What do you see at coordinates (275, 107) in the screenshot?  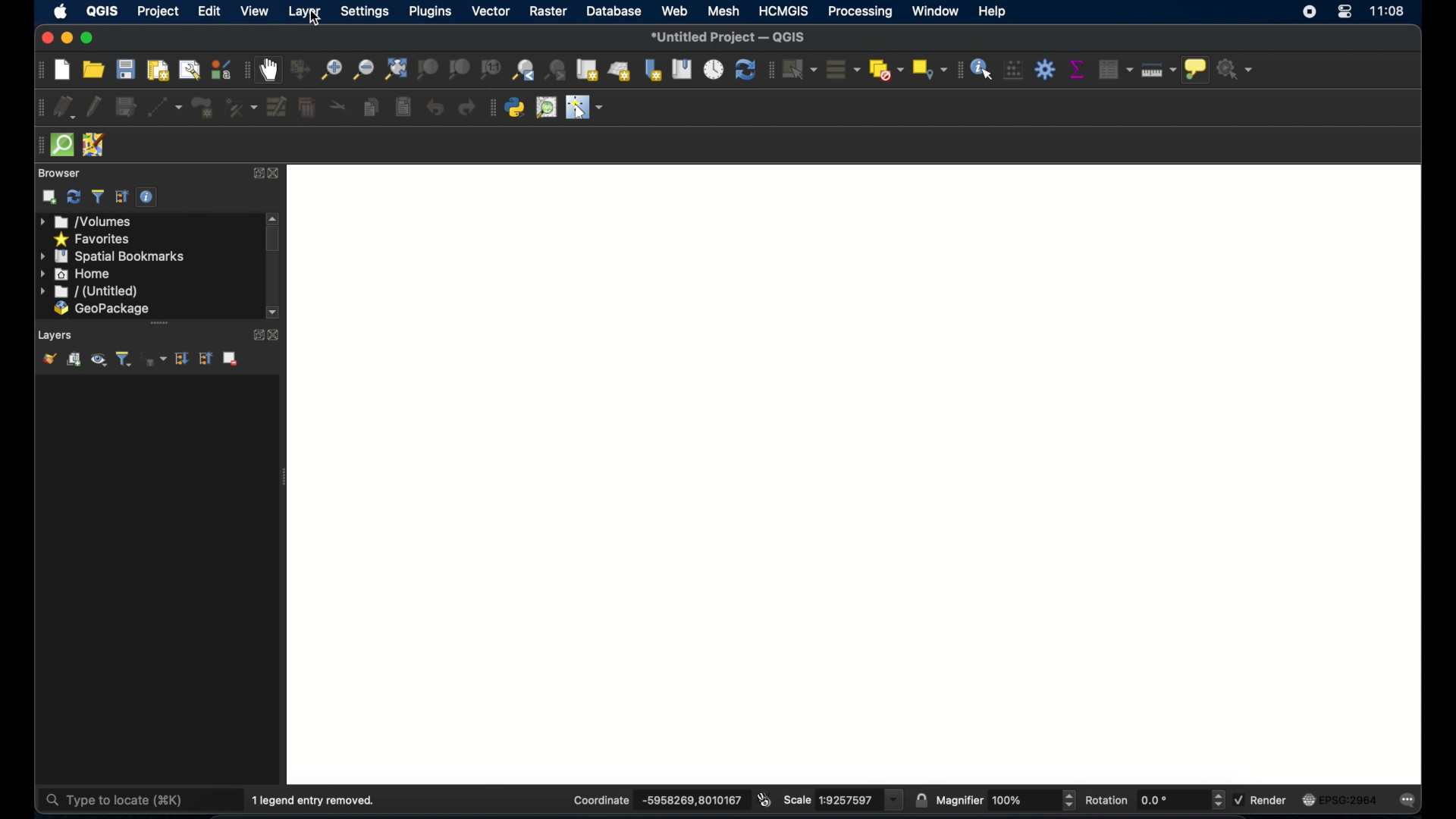 I see `modify attributes` at bounding box center [275, 107].